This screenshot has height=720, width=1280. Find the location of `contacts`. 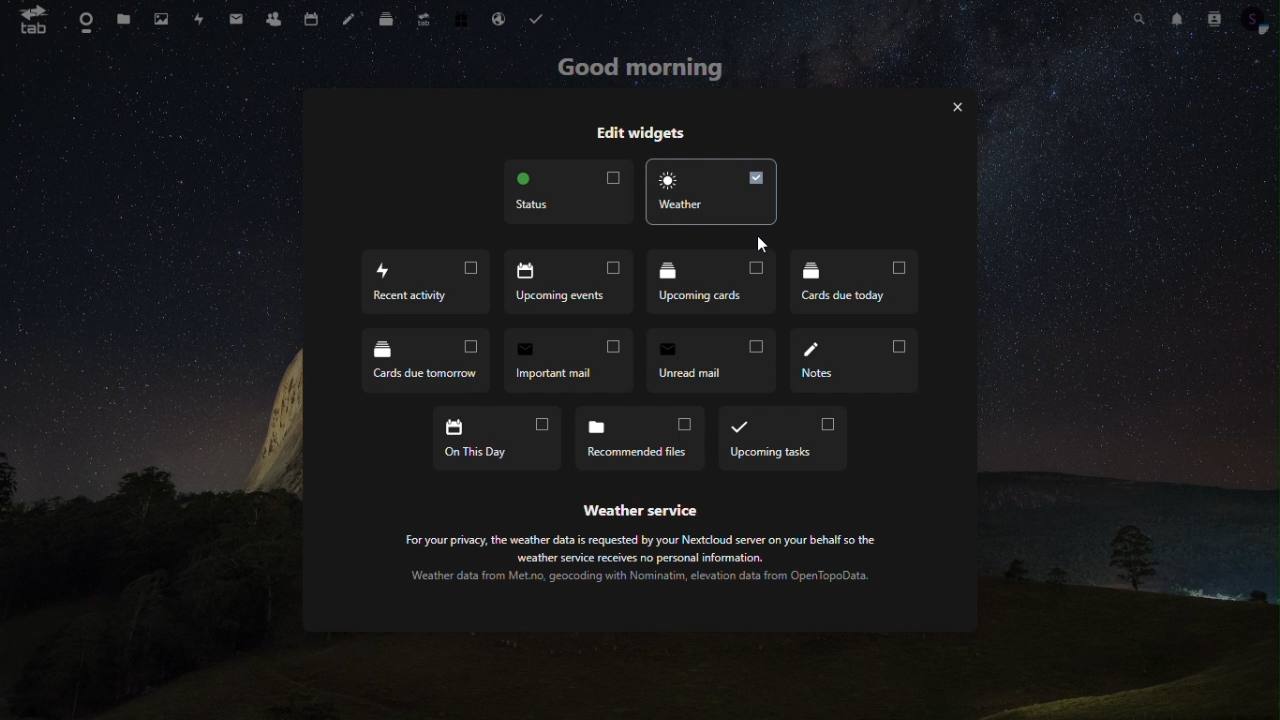

contacts is located at coordinates (1210, 18).